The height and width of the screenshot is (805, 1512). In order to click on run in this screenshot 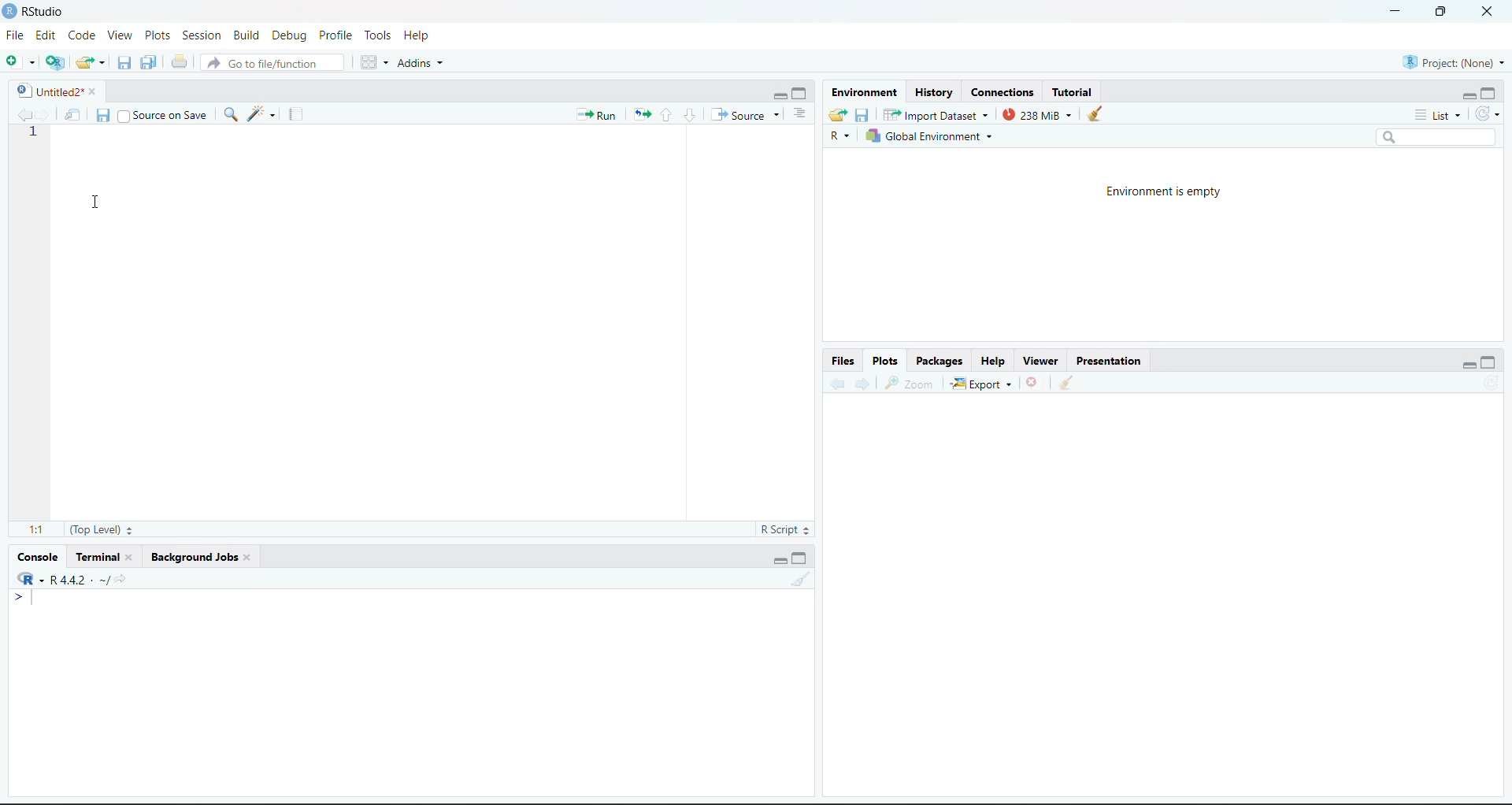, I will do `click(597, 116)`.